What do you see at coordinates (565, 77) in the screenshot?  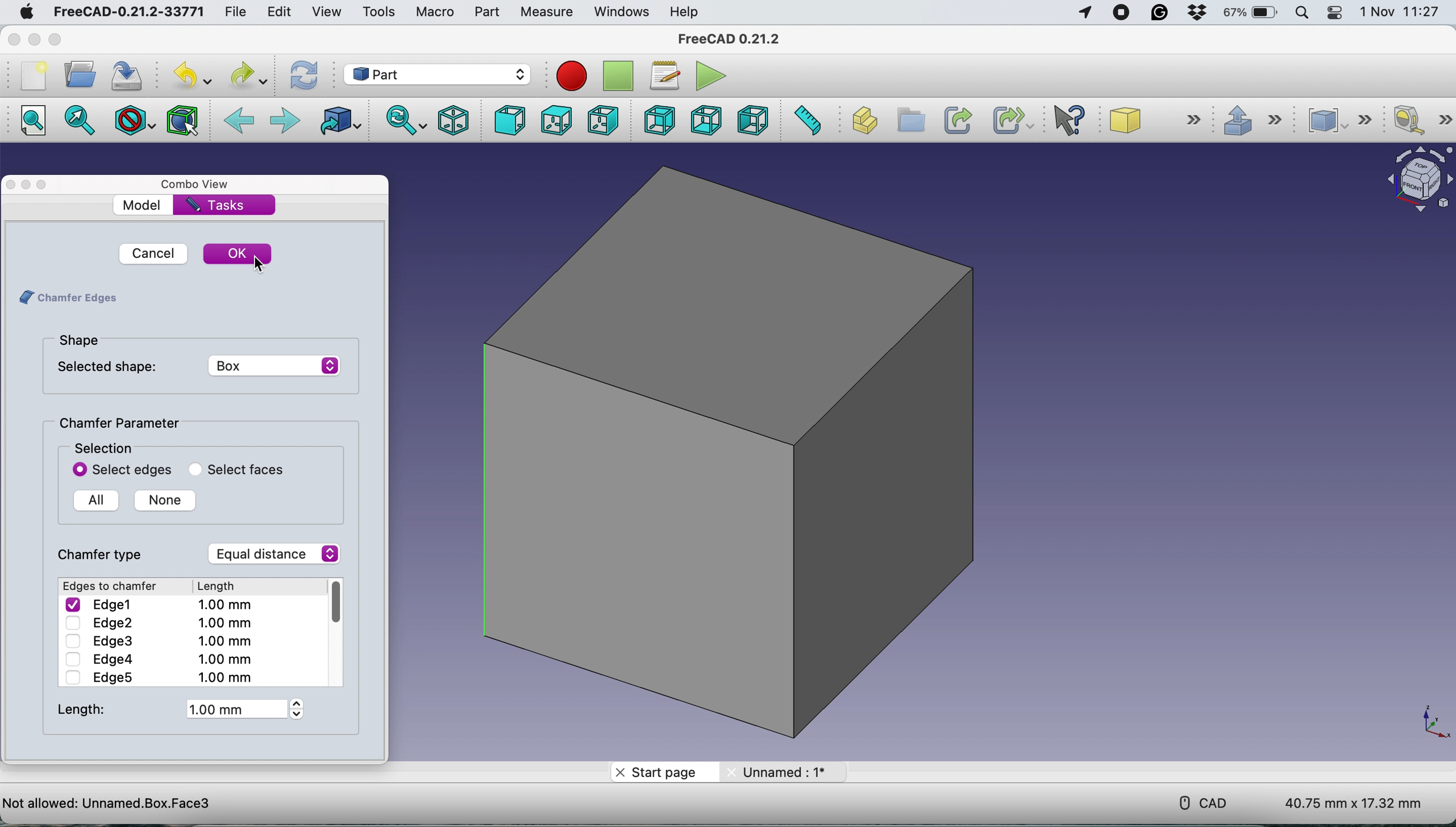 I see `record macros` at bounding box center [565, 77].